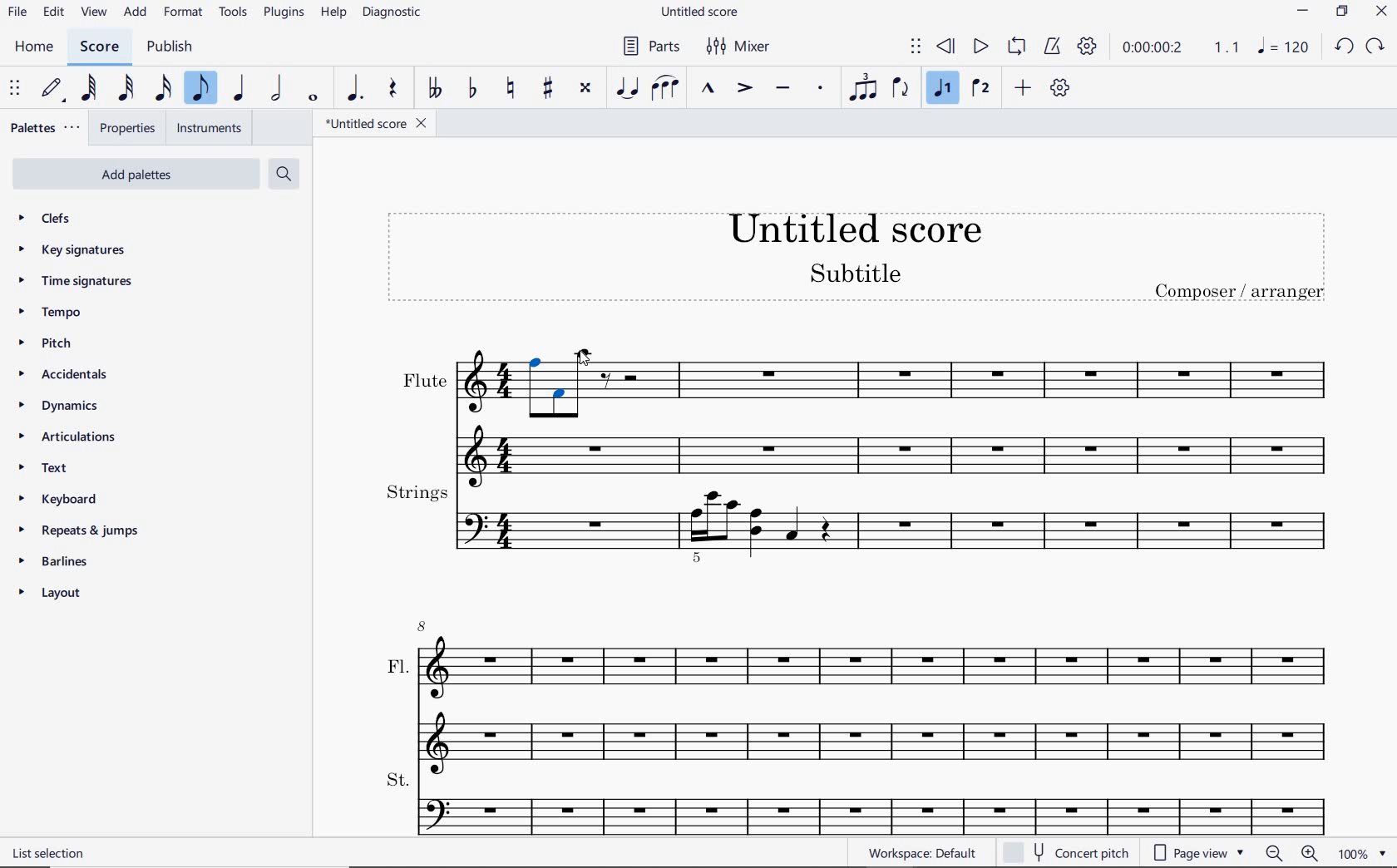 The height and width of the screenshot is (868, 1397). Describe the element at coordinates (47, 219) in the screenshot. I see `clefs` at that location.